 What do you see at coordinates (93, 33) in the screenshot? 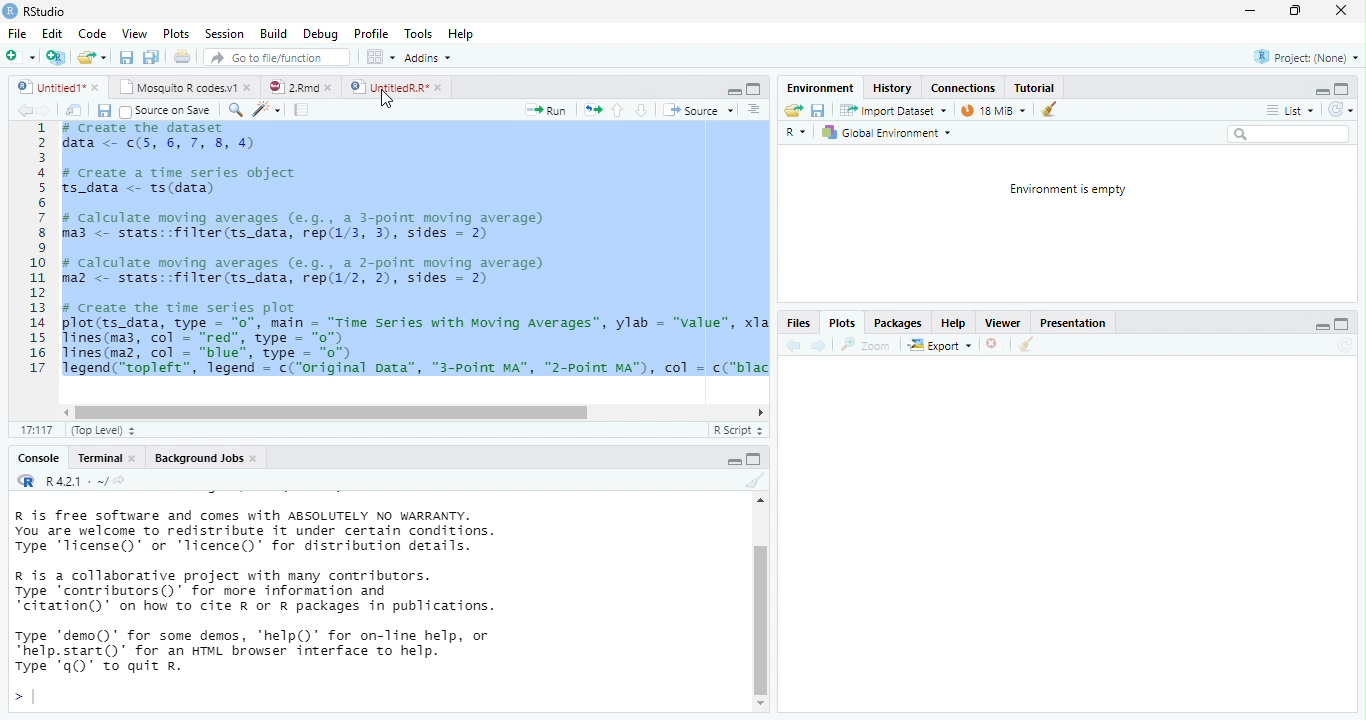
I see `Code` at bounding box center [93, 33].